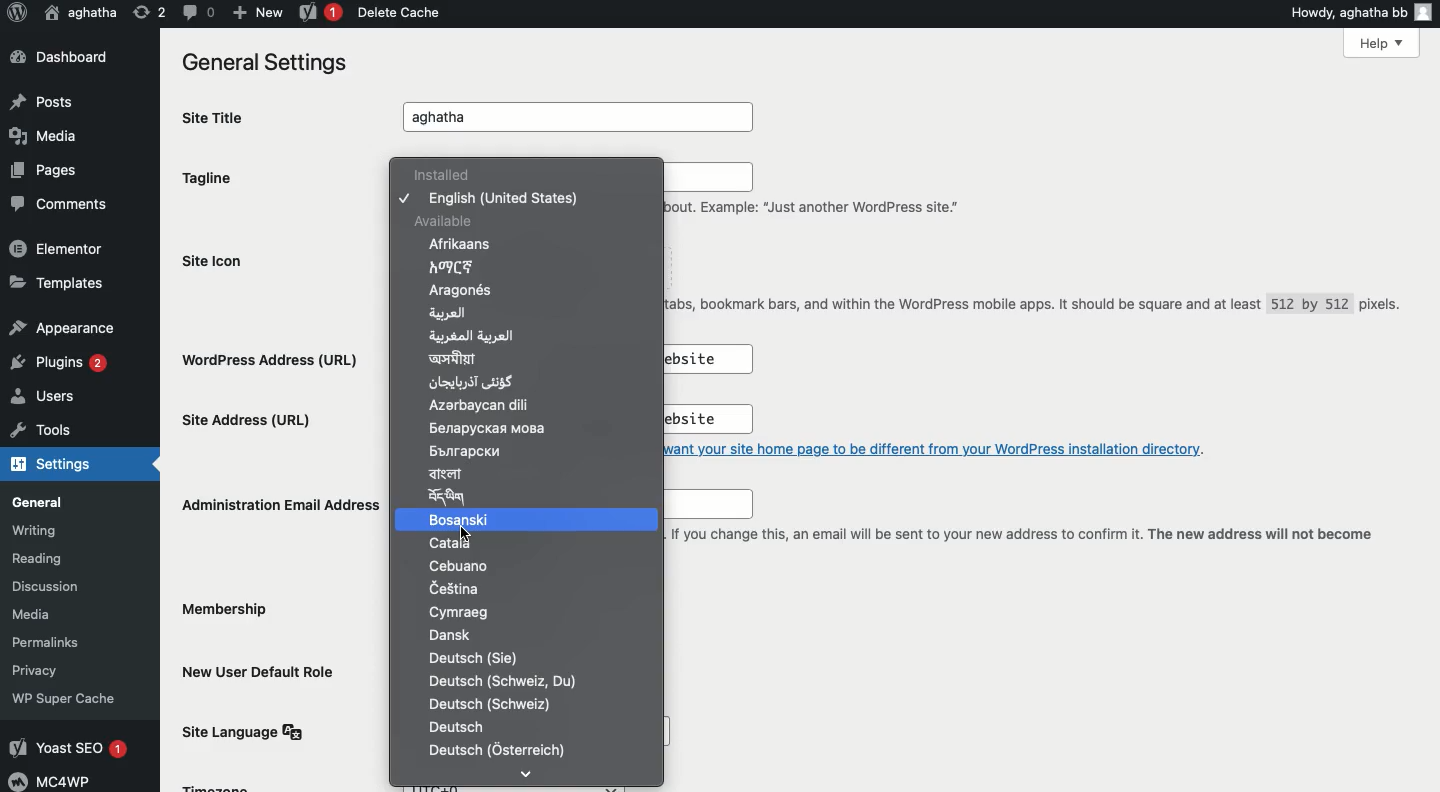 The image size is (1440, 792). Describe the element at coordinates (527, 771) in the screenshot. I see `More` at that location.